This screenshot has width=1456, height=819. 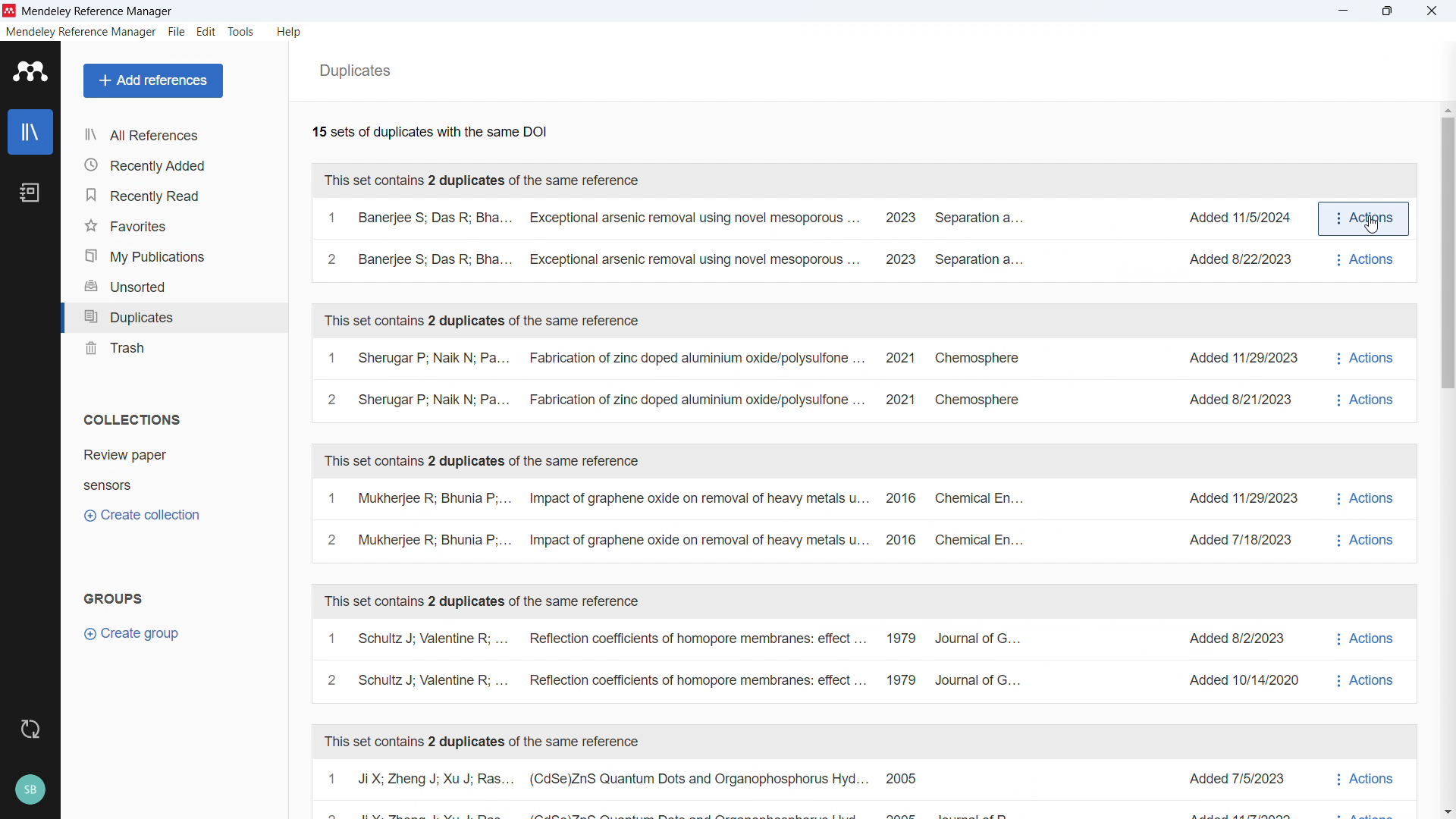 What do you see at coordinates (152, 80) in the screenshot?
I see `Add reference ` at bounding box center [152, 80].